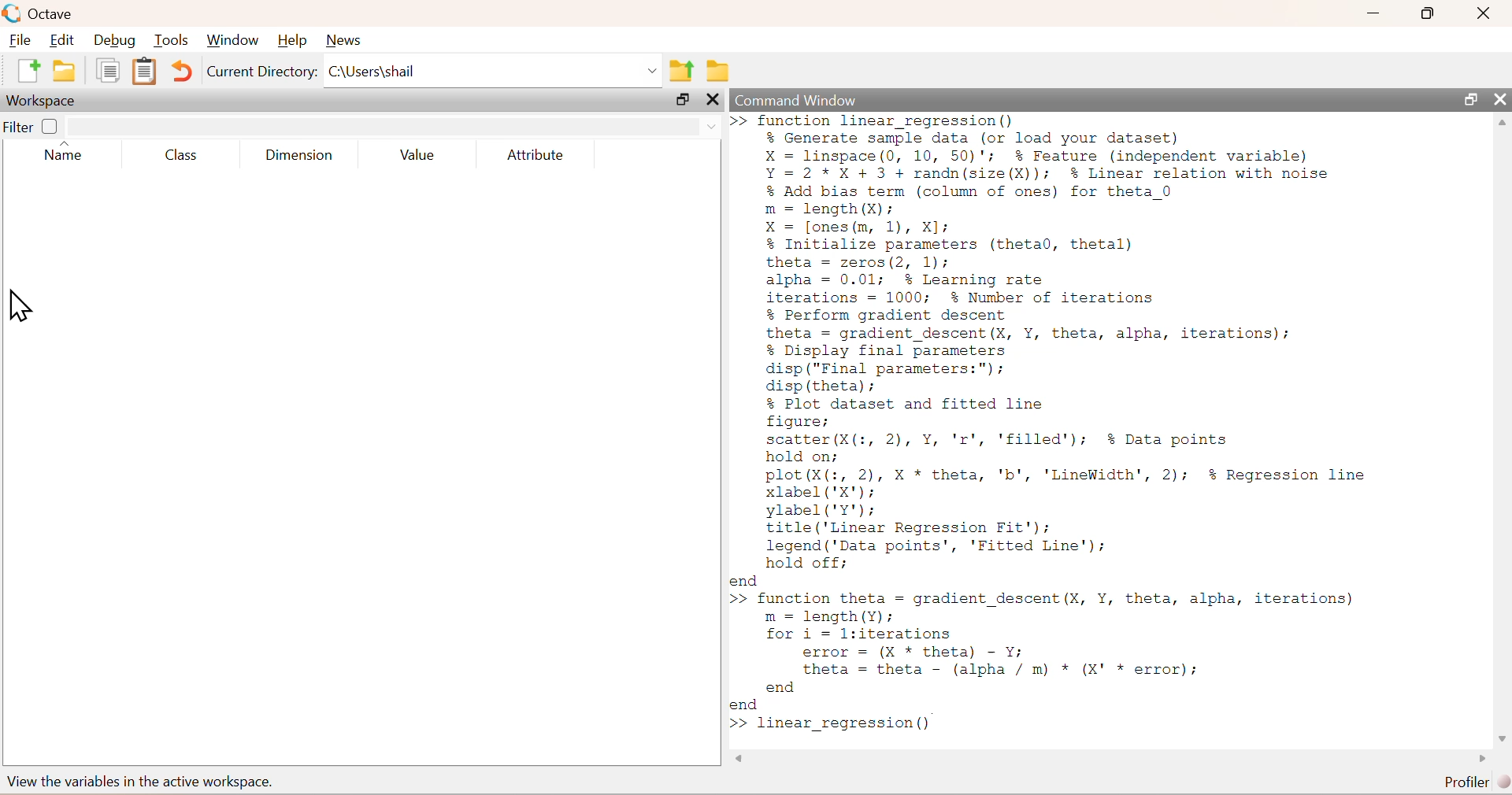  I want to click on scroll up, so click(1502, 121).